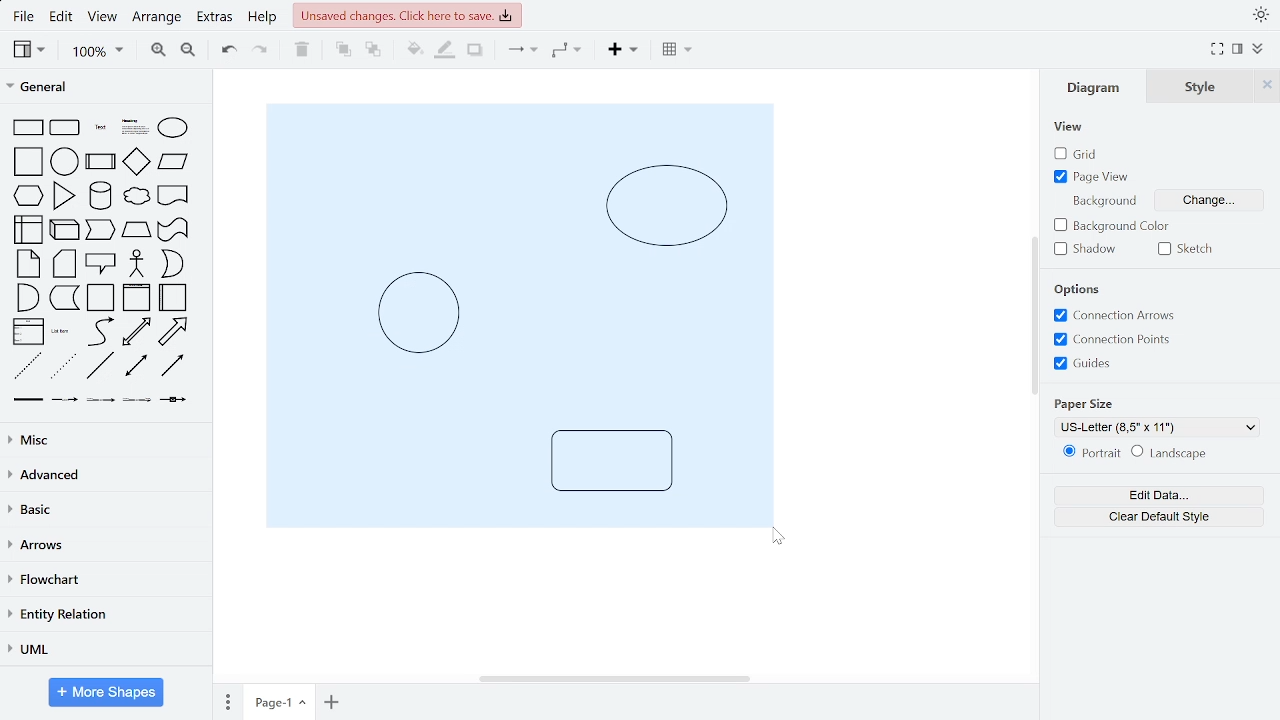 The height and width of the screenshot is (720, 1280). What do you see at coordinates (409, 50) in the screenshot?
I see `fill color` at bounding box center [409, 50].